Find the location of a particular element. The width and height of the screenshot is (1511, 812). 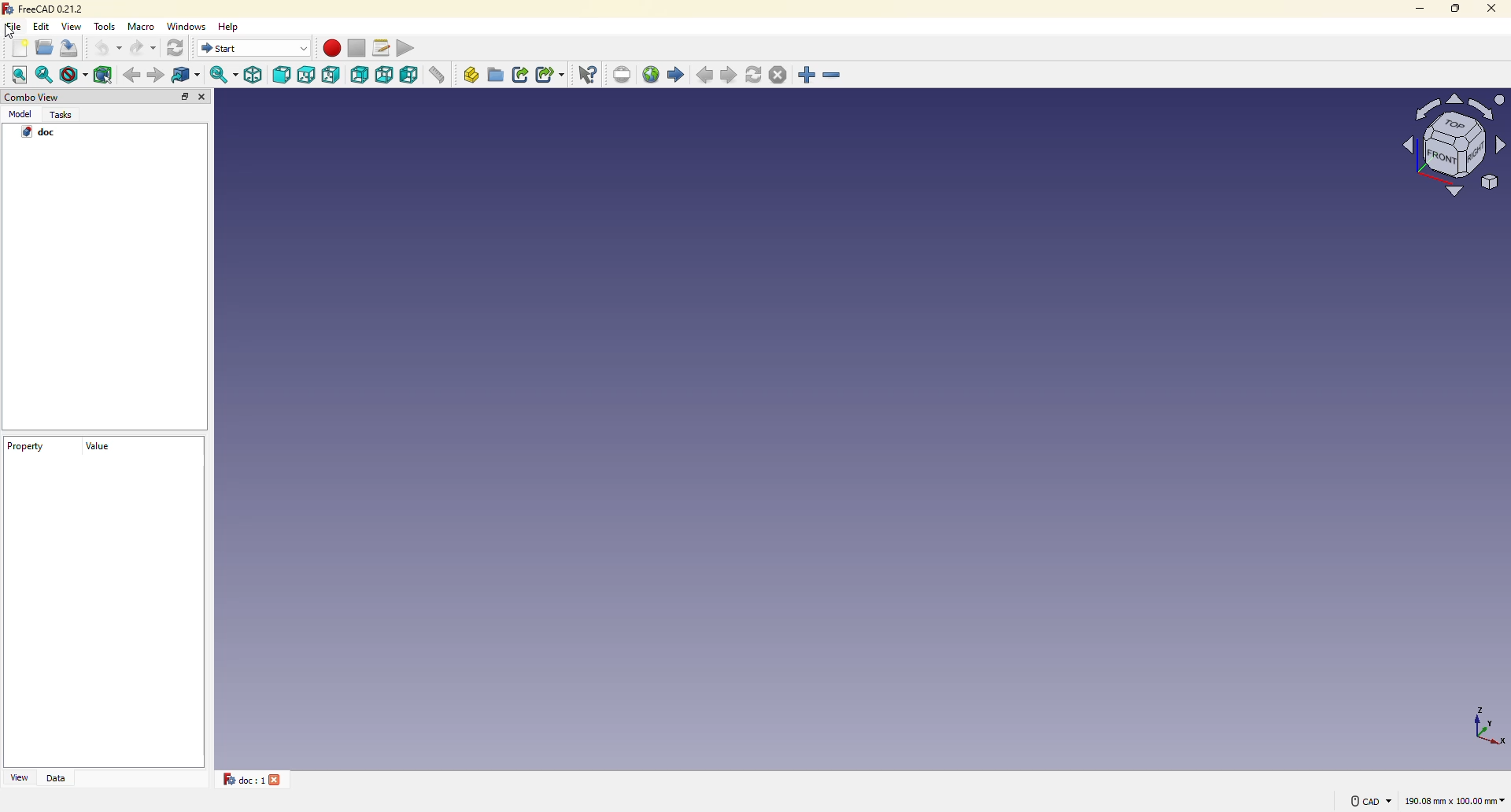

front is located at coordinates (283, 76).